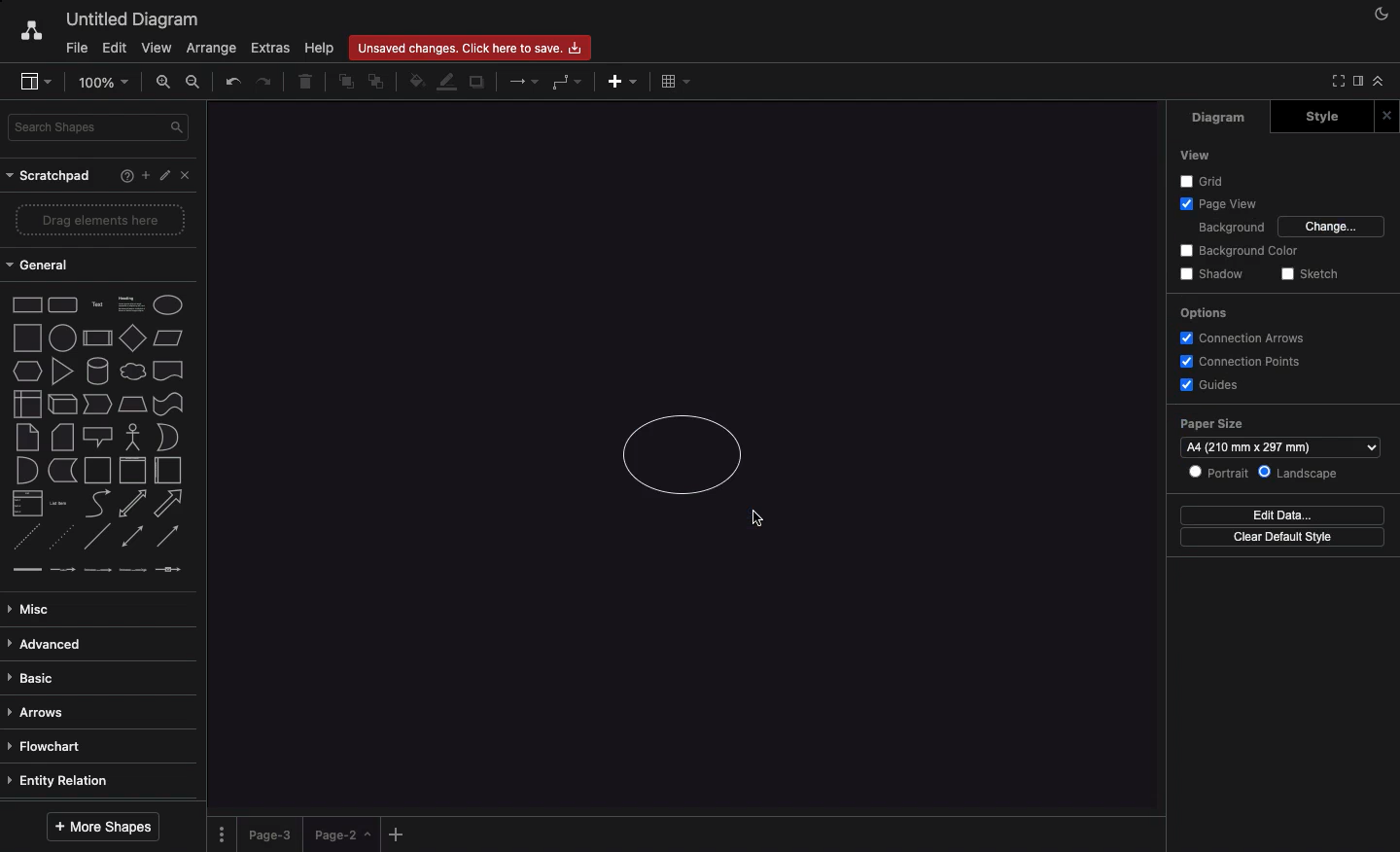  I want to click on curve, so click(98, 502).